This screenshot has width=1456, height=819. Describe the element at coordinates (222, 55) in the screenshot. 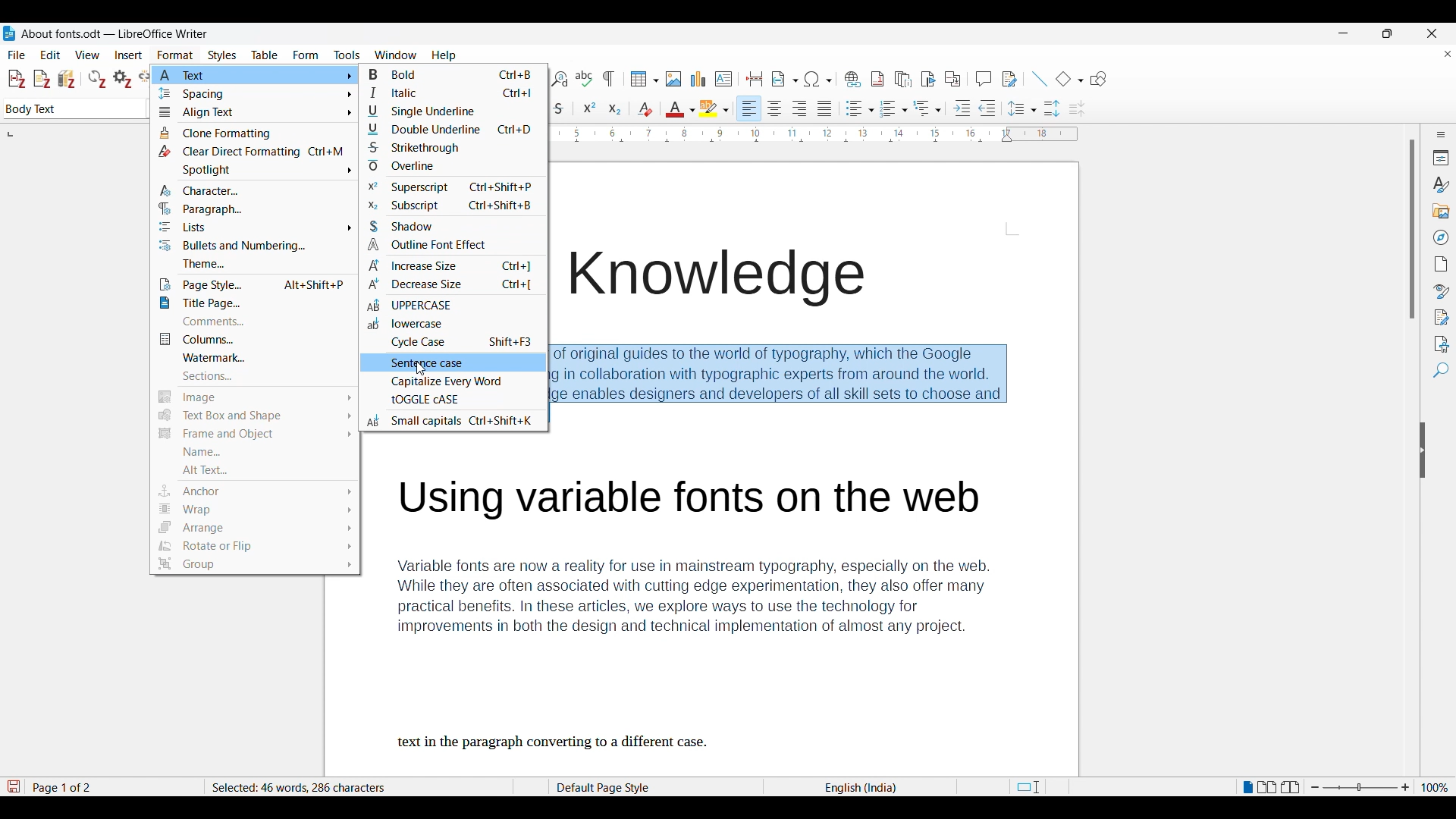

I see `Styles menu` at that location.